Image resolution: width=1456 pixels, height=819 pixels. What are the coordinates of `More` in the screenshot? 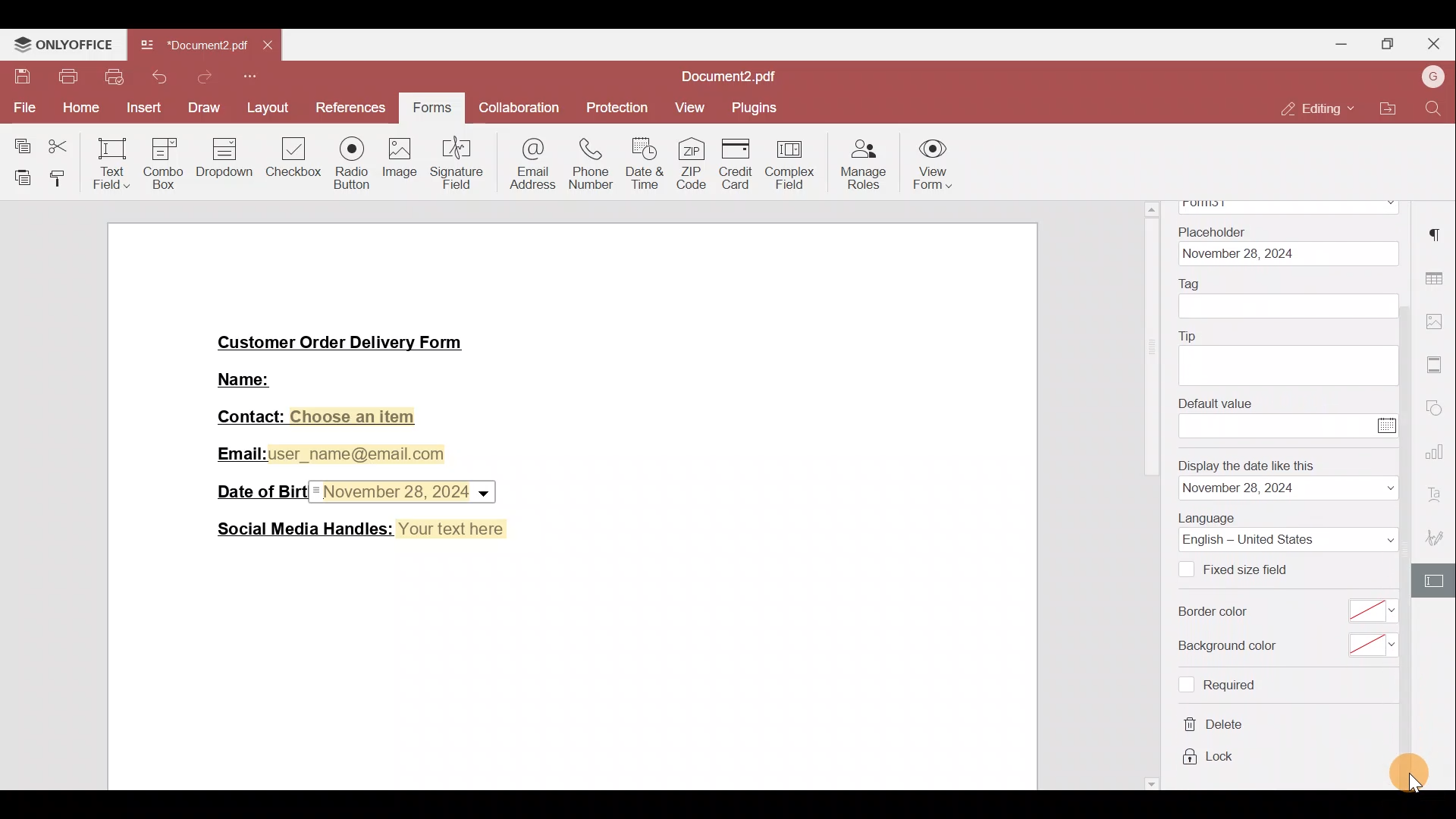 It's located at (253, 78).